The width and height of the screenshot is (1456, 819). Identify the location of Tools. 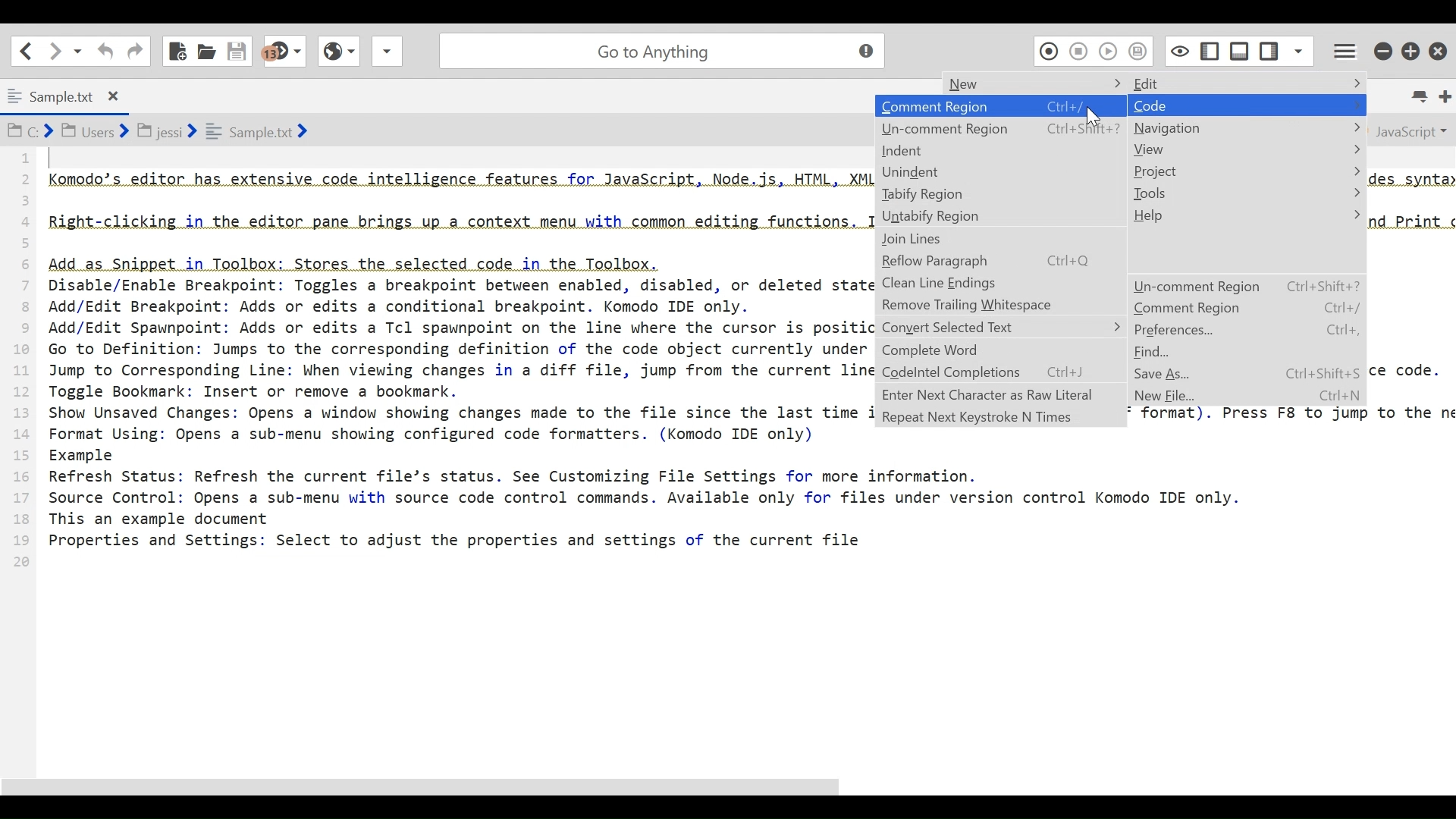
(1246, 193).